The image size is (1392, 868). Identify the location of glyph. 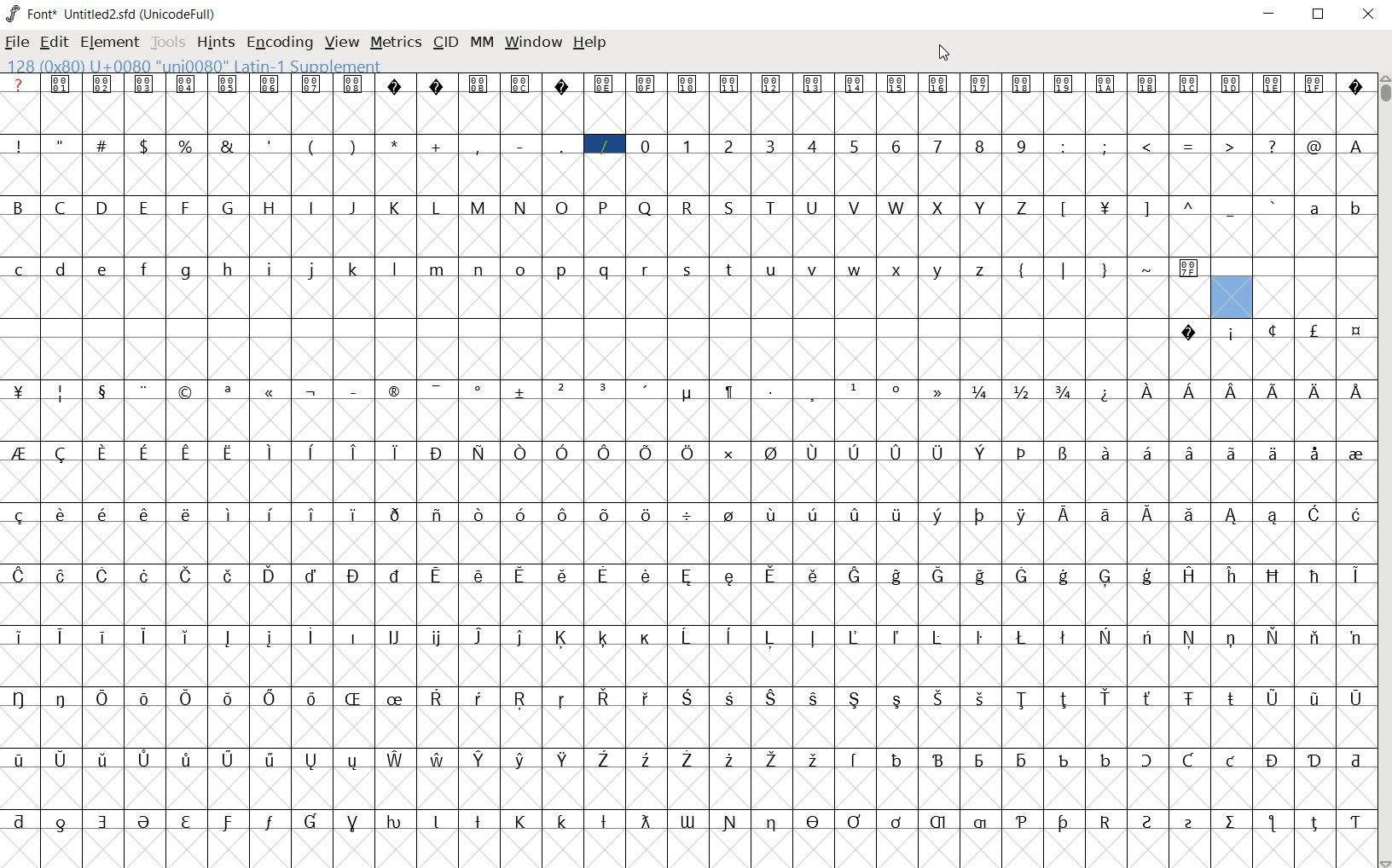
(105, 270).